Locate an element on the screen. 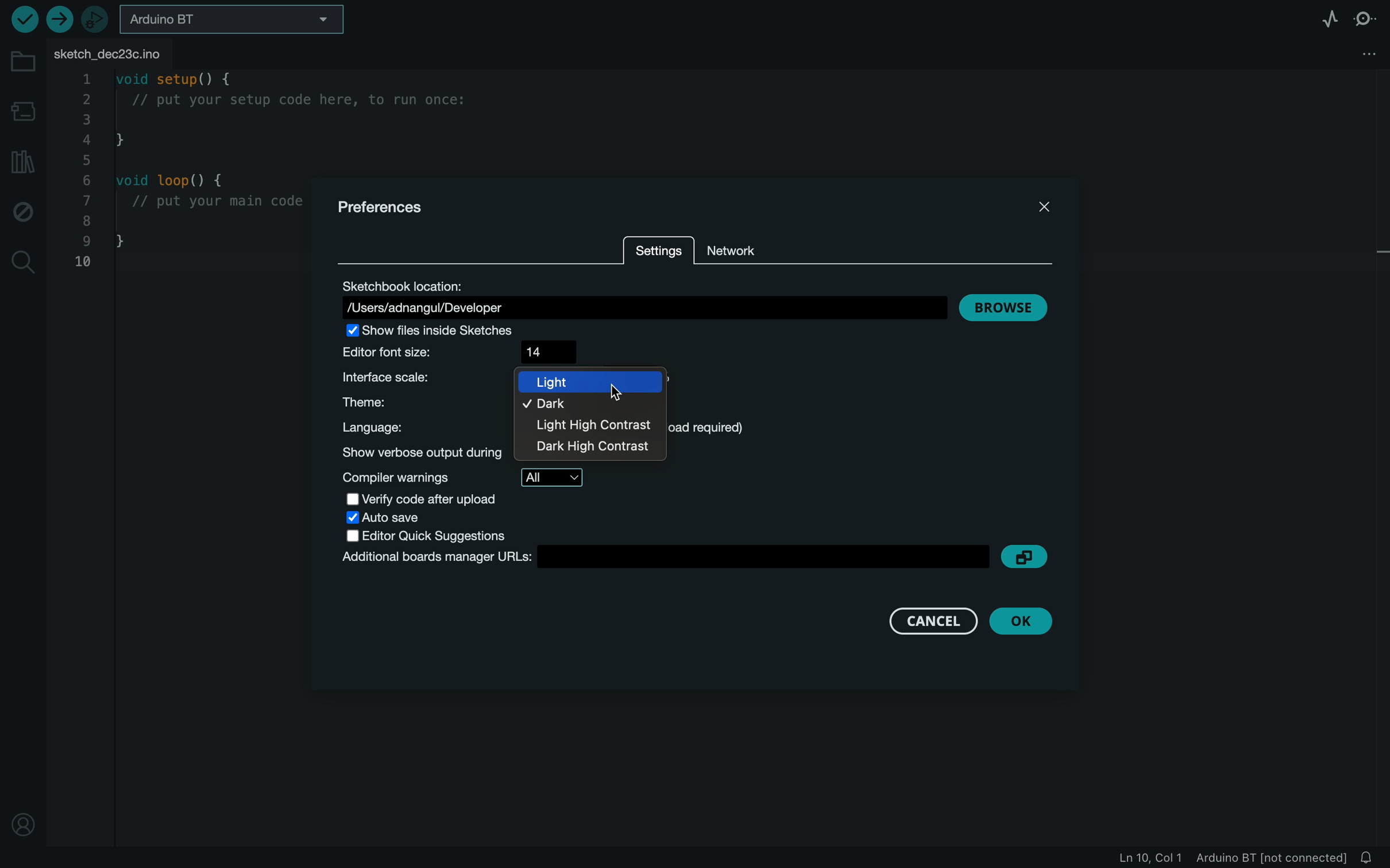 This screenshot has width=1390, height=868. font size is located at coordinates (466, 352).